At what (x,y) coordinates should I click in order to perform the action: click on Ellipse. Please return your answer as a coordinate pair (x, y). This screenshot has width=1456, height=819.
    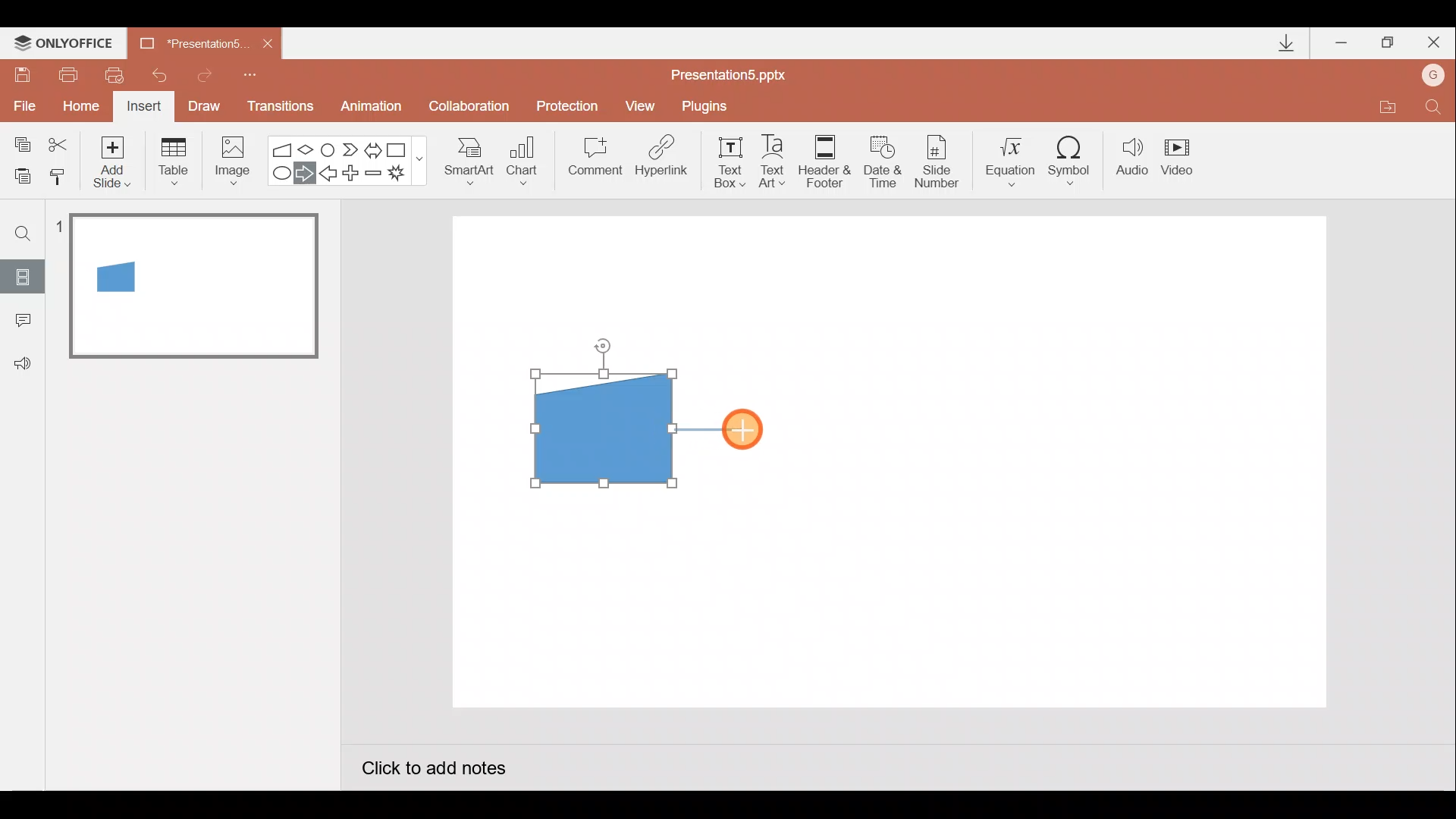
    Looking at the image, I should click on (278, 174).